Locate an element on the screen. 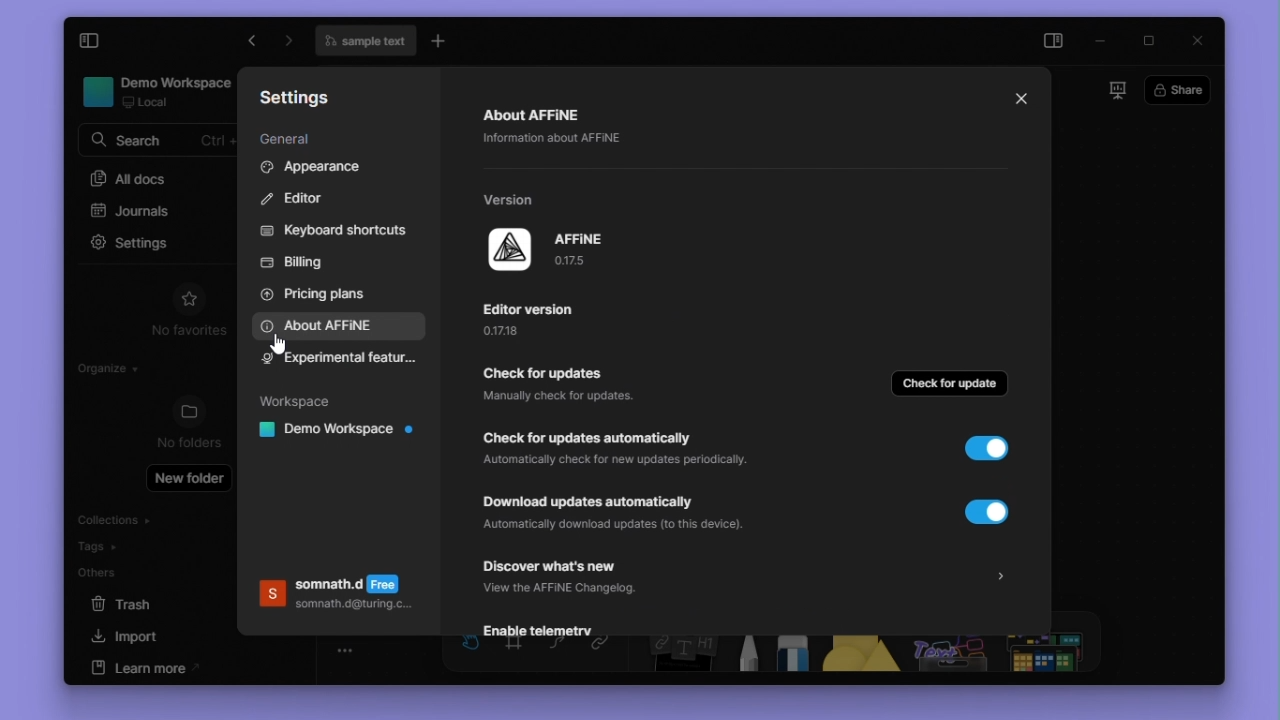 This screenshot has height=720, width=1280. Workspace is located at coordinates (301, 402).